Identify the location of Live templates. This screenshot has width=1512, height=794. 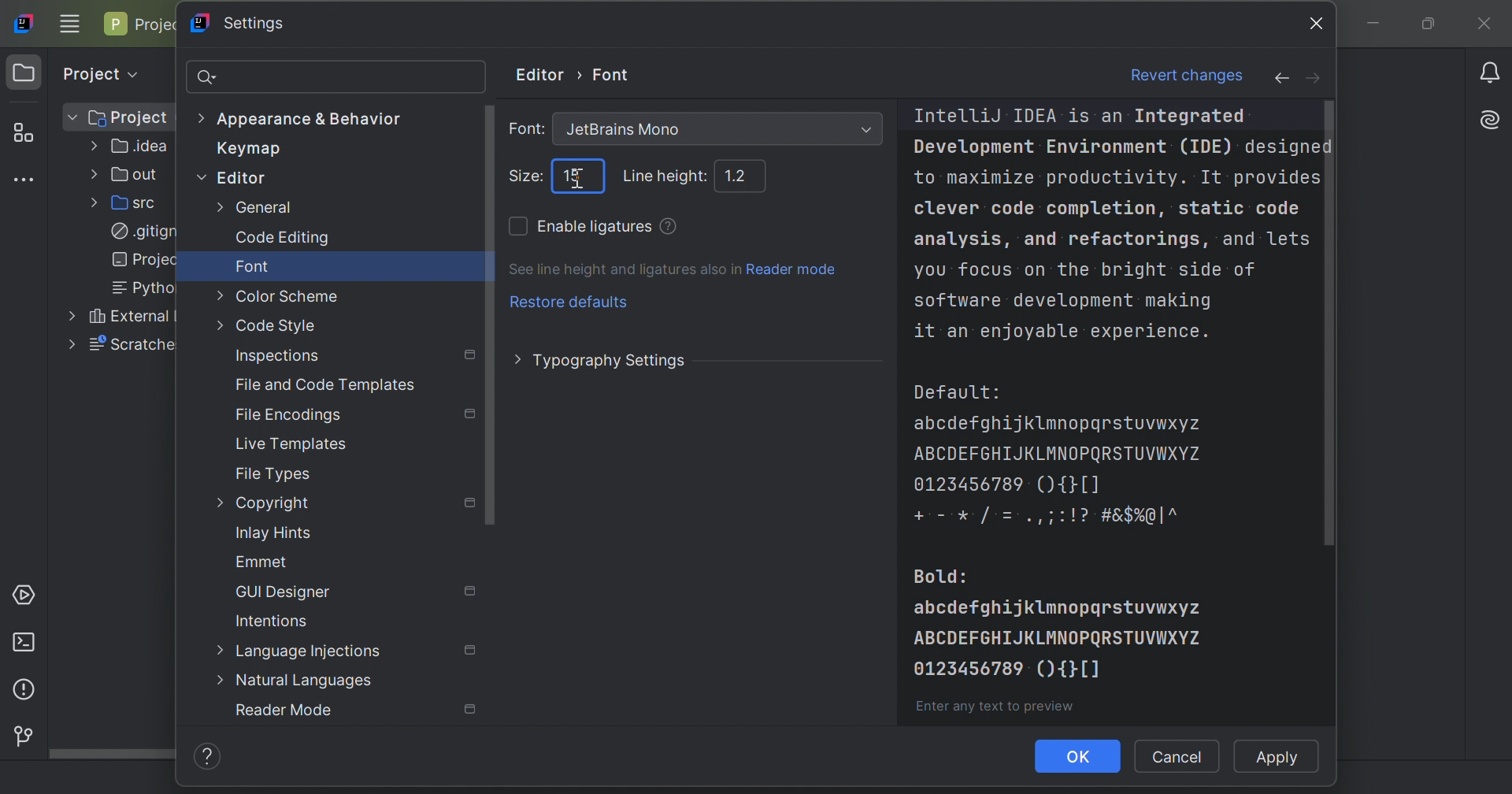
(291, 445).